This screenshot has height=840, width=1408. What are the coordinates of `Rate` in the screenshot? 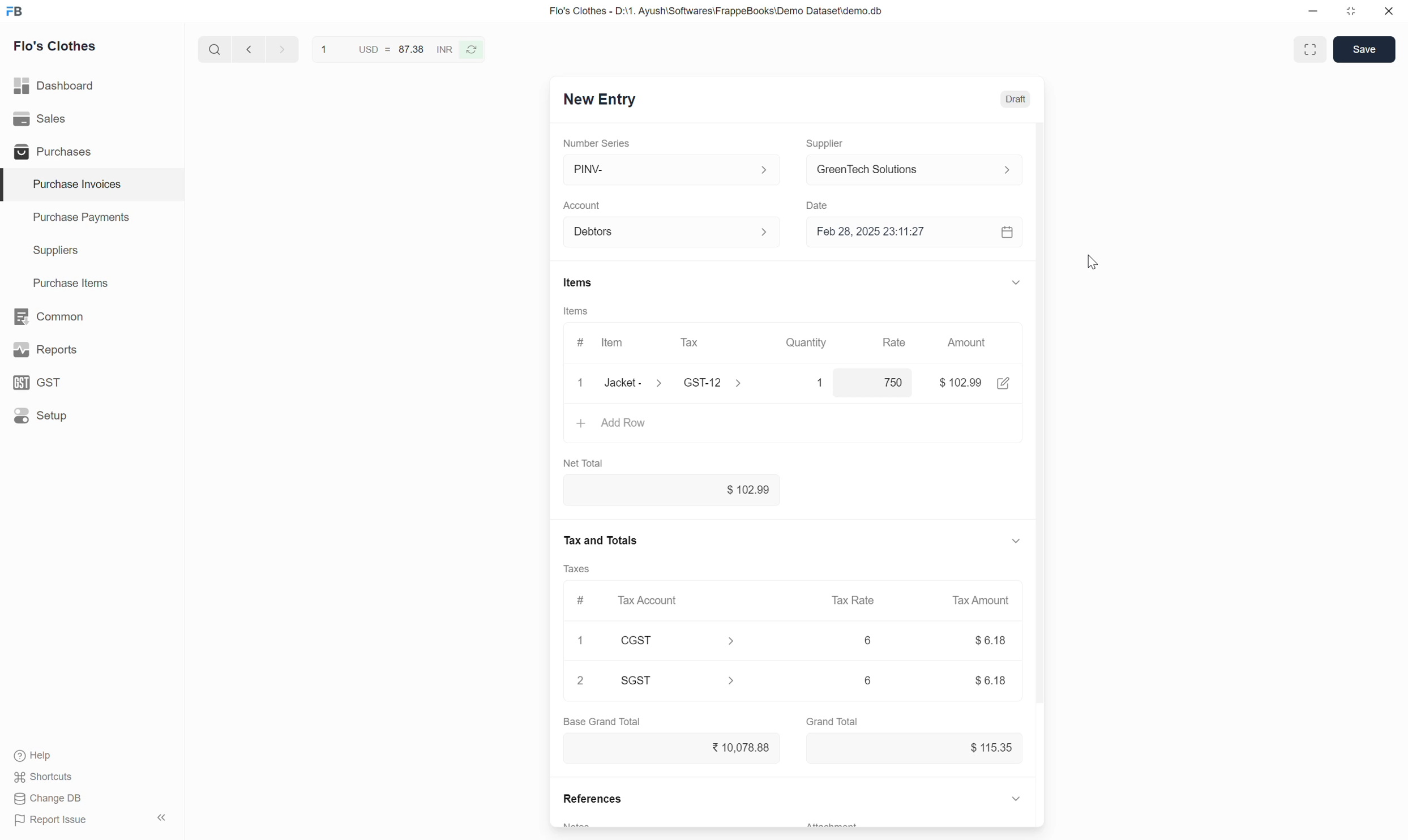 It's located at (896, 338).